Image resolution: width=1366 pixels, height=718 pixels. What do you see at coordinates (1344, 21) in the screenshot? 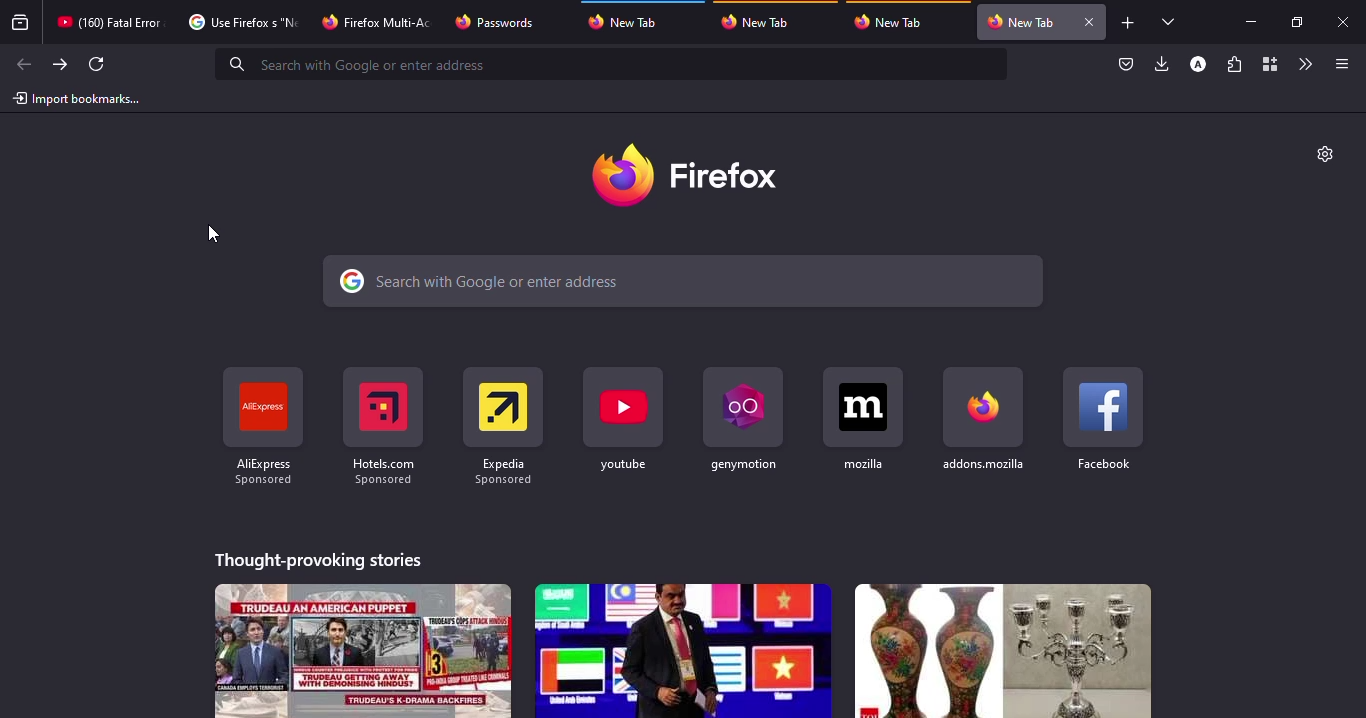
I see `close` at bounding box center [1344, 21].